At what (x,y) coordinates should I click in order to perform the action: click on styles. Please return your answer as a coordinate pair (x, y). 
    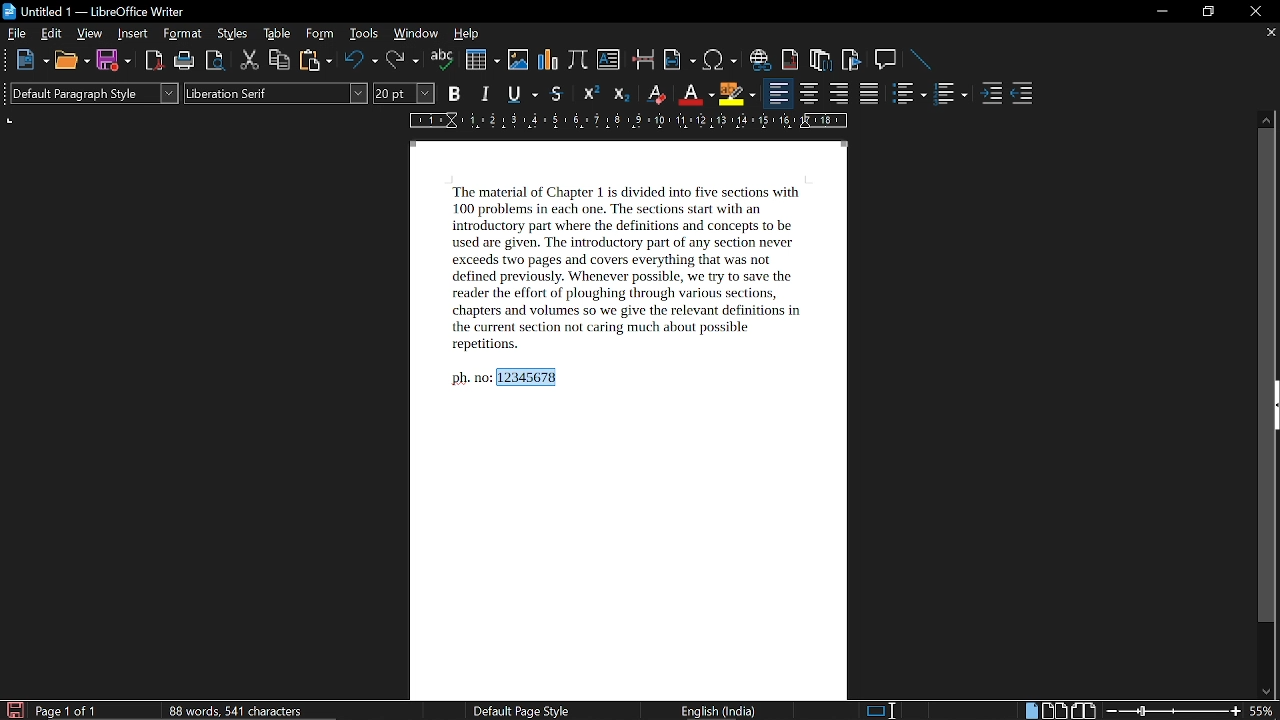
    Looking at the image, I should click on (234, 34).